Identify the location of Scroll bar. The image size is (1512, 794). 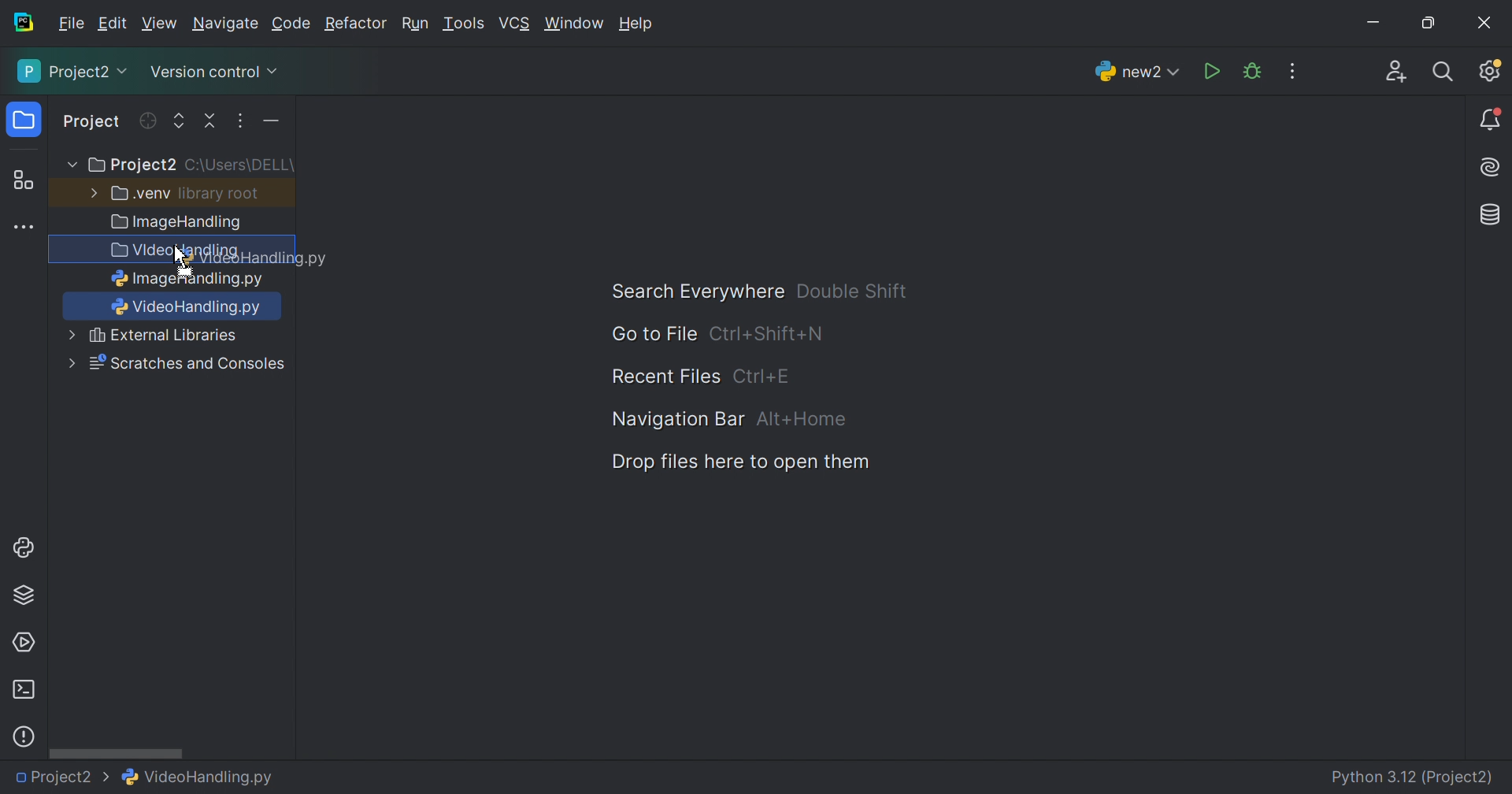
(116, 752).